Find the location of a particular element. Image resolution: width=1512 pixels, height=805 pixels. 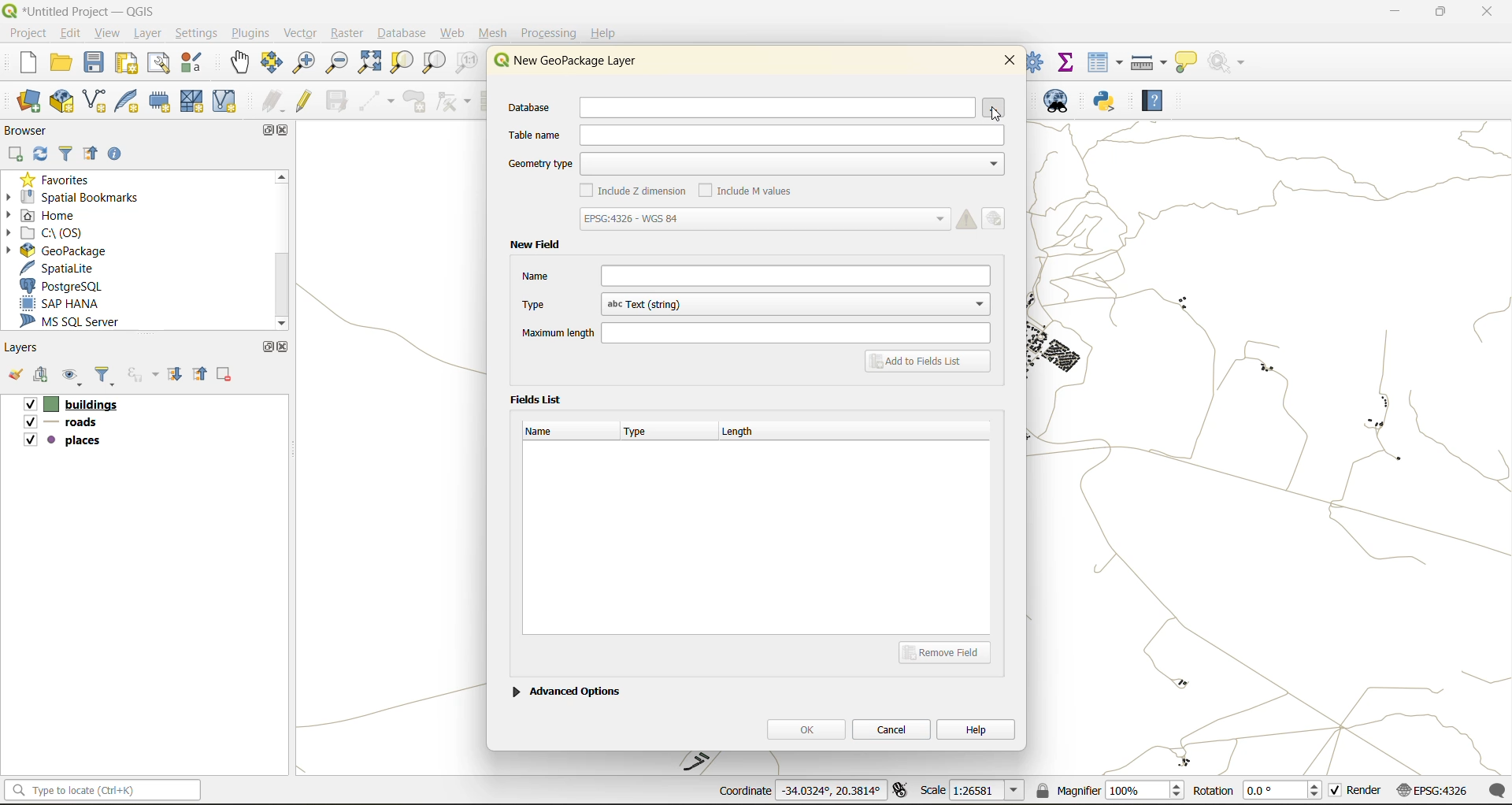

open is located at coordinates (62, 65).